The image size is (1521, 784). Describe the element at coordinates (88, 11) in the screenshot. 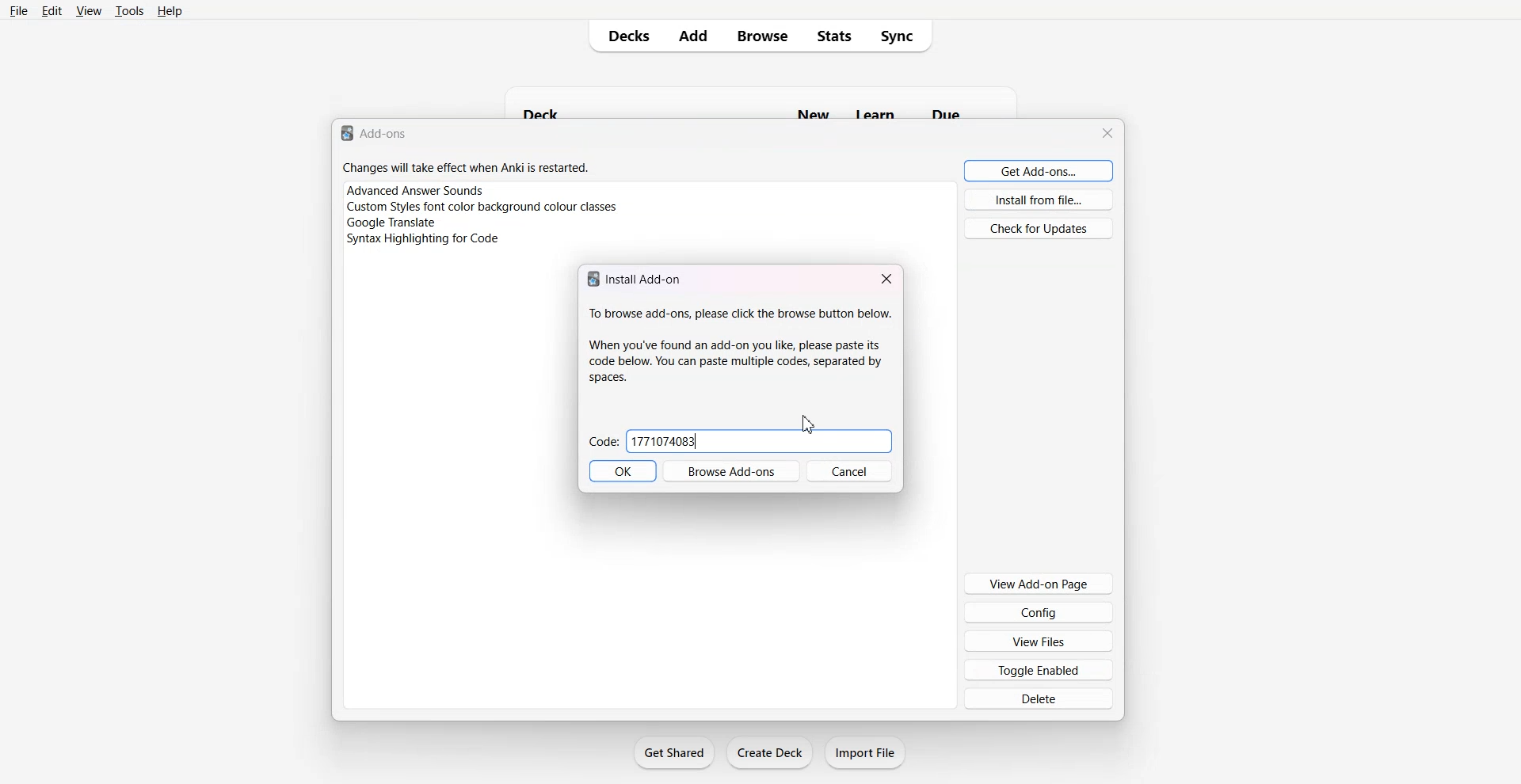

I see `View` at that location.